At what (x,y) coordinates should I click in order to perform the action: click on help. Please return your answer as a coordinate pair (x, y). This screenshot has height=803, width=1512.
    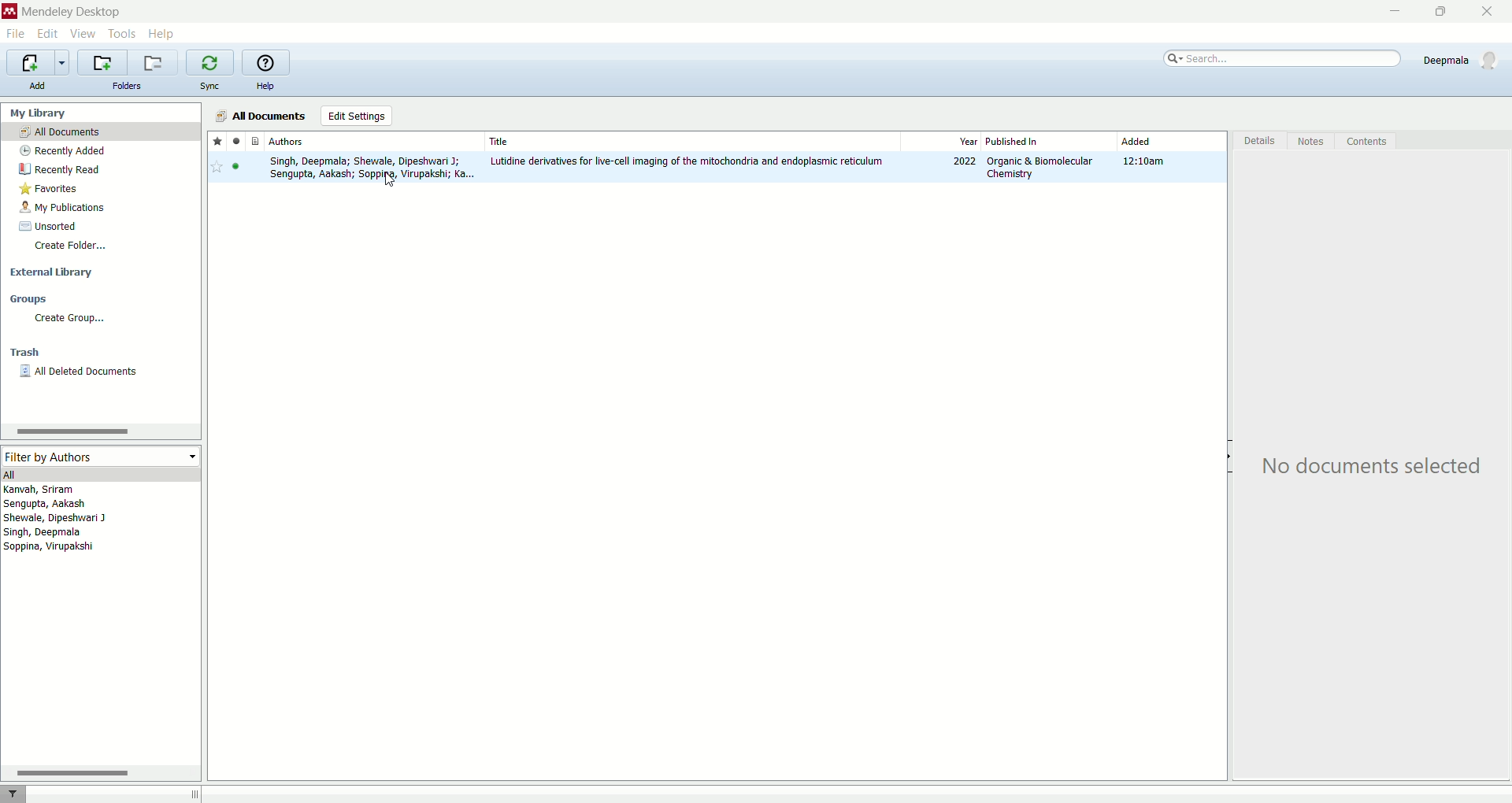
    Looking at the image, I should click on (265, 86).